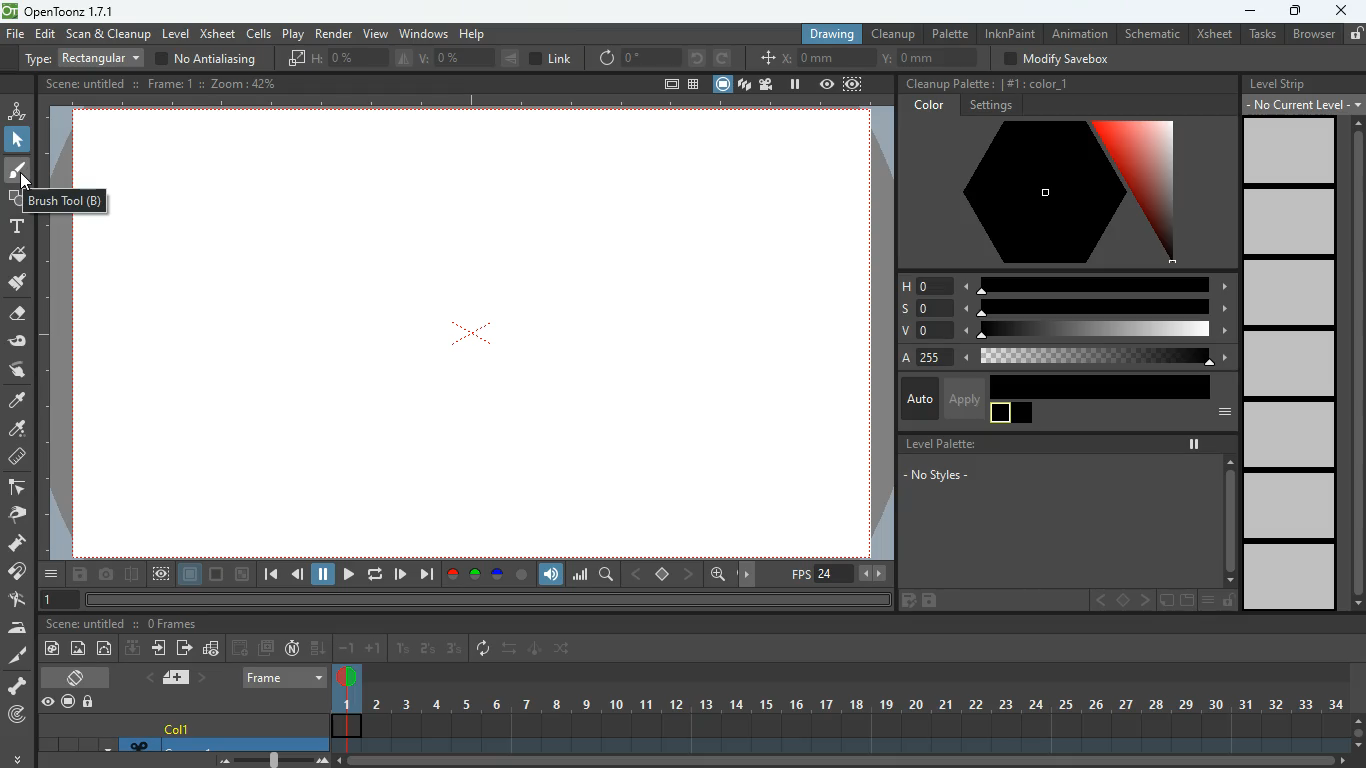  I want to click on camera, so click(108, 575).